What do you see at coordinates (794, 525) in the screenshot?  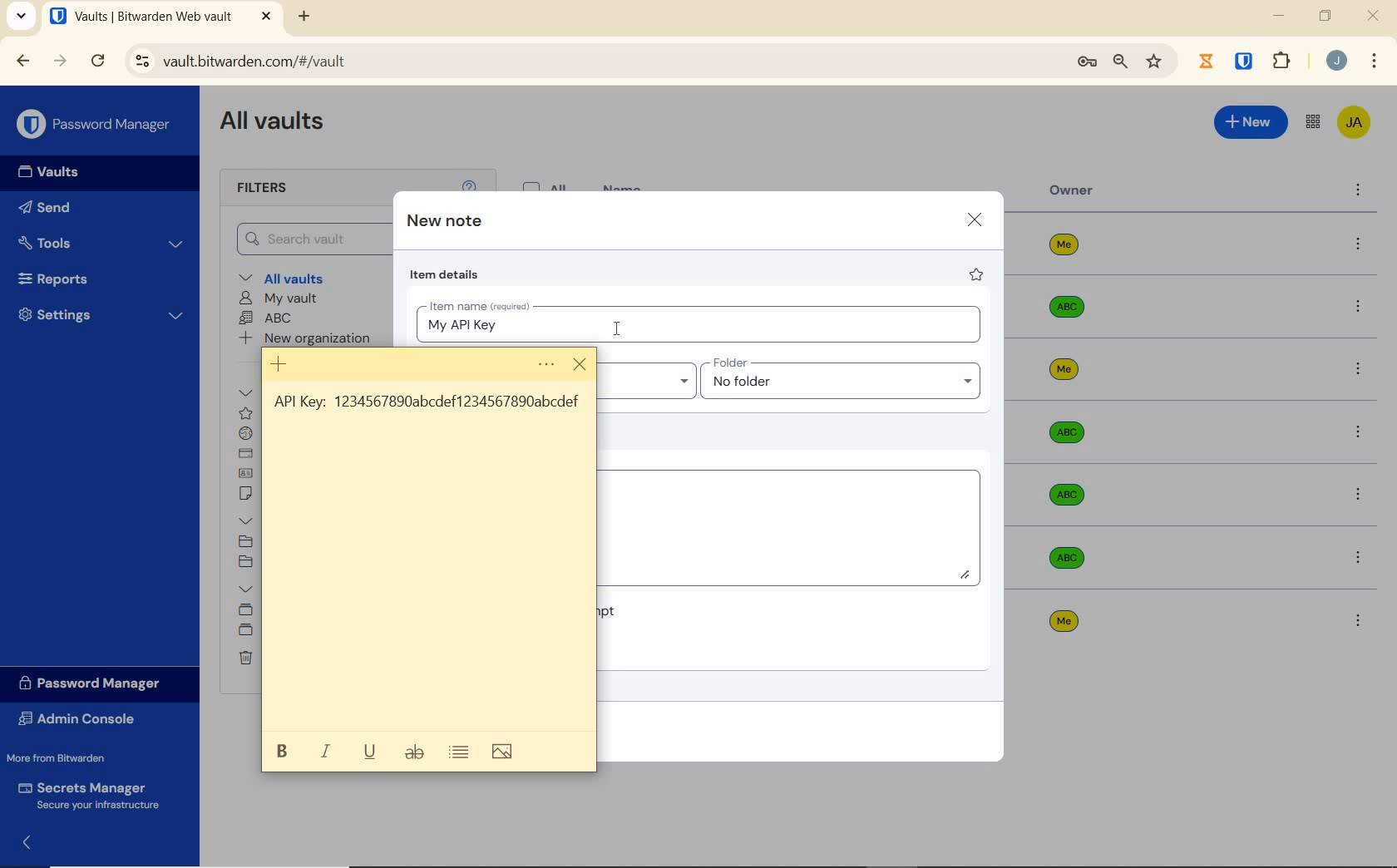 I see `Add Notes` at bounding box center [794, 525].